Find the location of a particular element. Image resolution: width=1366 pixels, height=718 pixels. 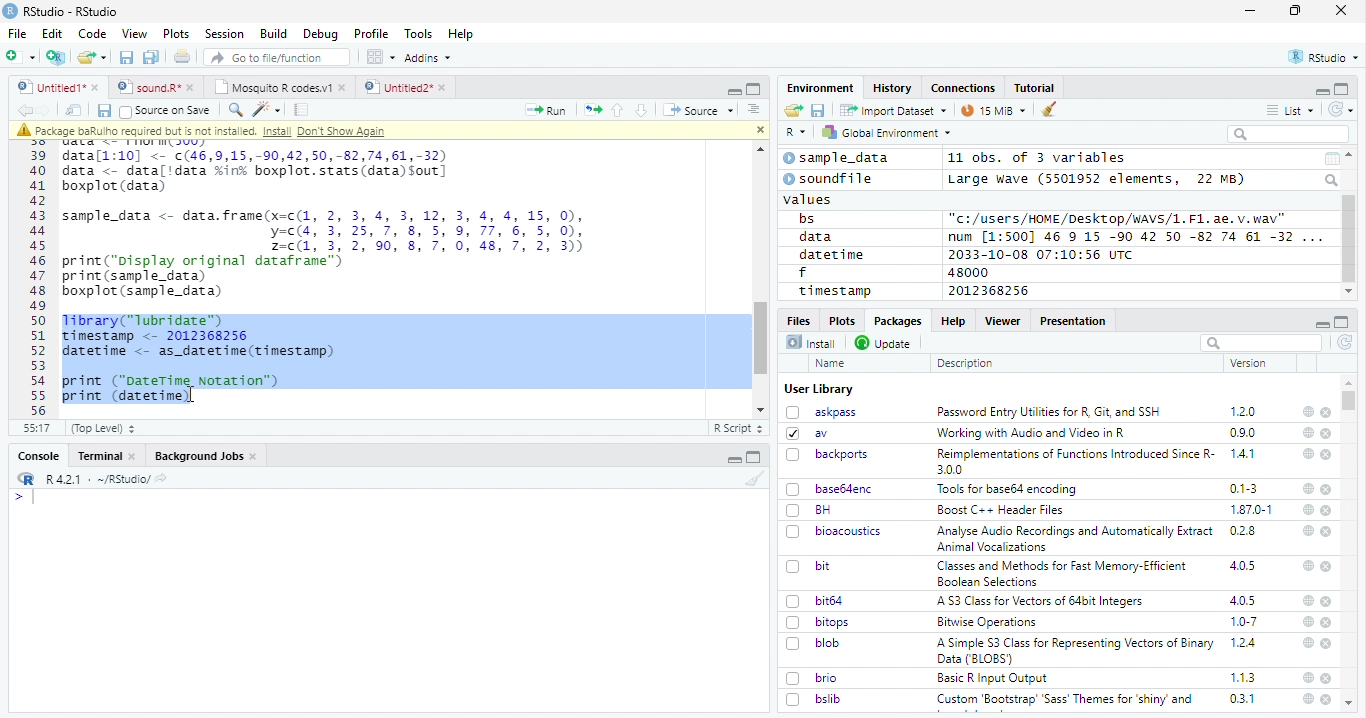

Untitled2* is located at coordinates (409, 88).